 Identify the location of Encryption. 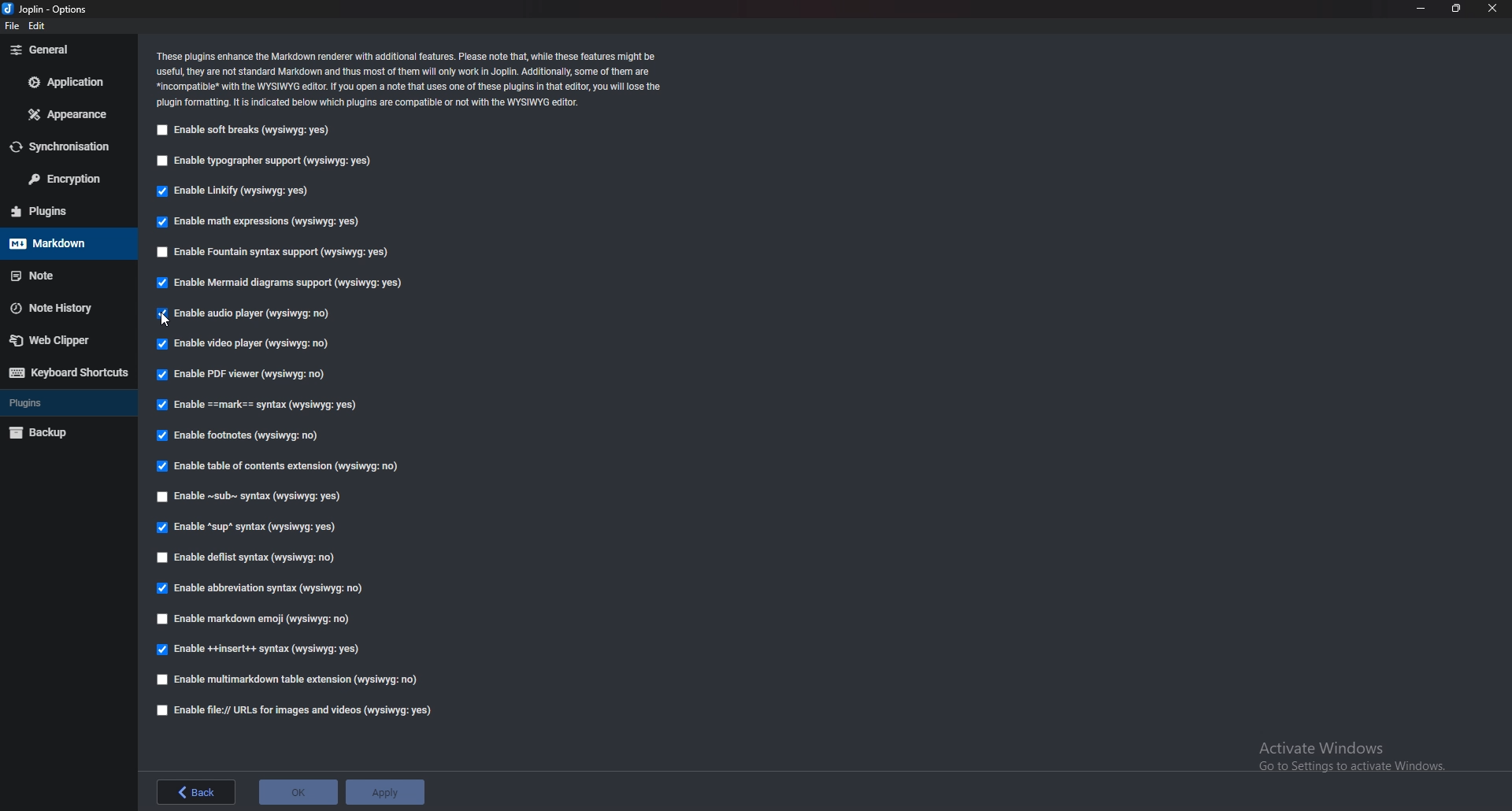
(65, 179).